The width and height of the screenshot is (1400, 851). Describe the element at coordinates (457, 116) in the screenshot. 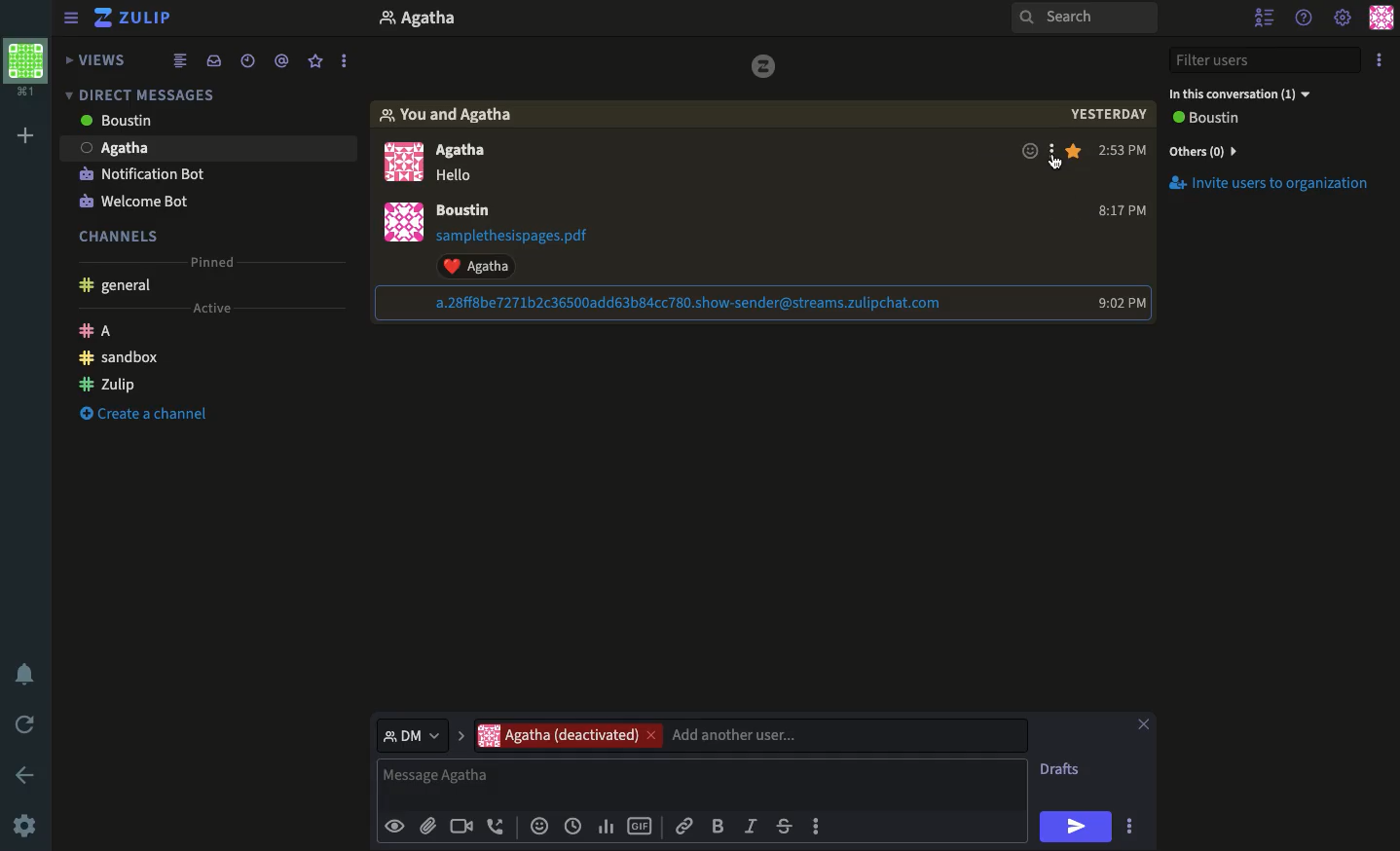

I see `You and user` at that location.